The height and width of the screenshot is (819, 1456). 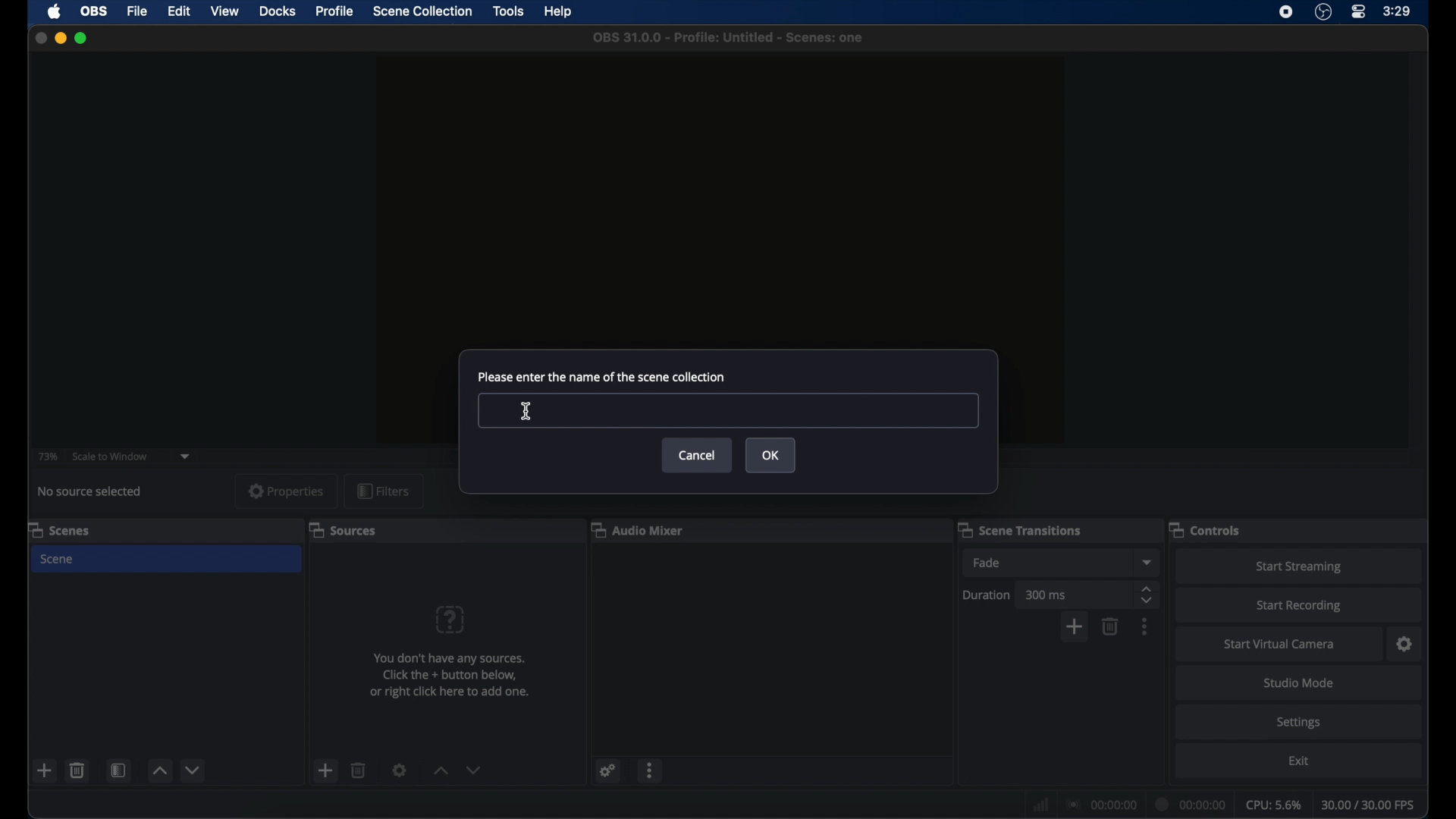 What do you see at coordinates (186, 455) in the screenshot?
I see `dropdown` at bounding box center [186, 455].